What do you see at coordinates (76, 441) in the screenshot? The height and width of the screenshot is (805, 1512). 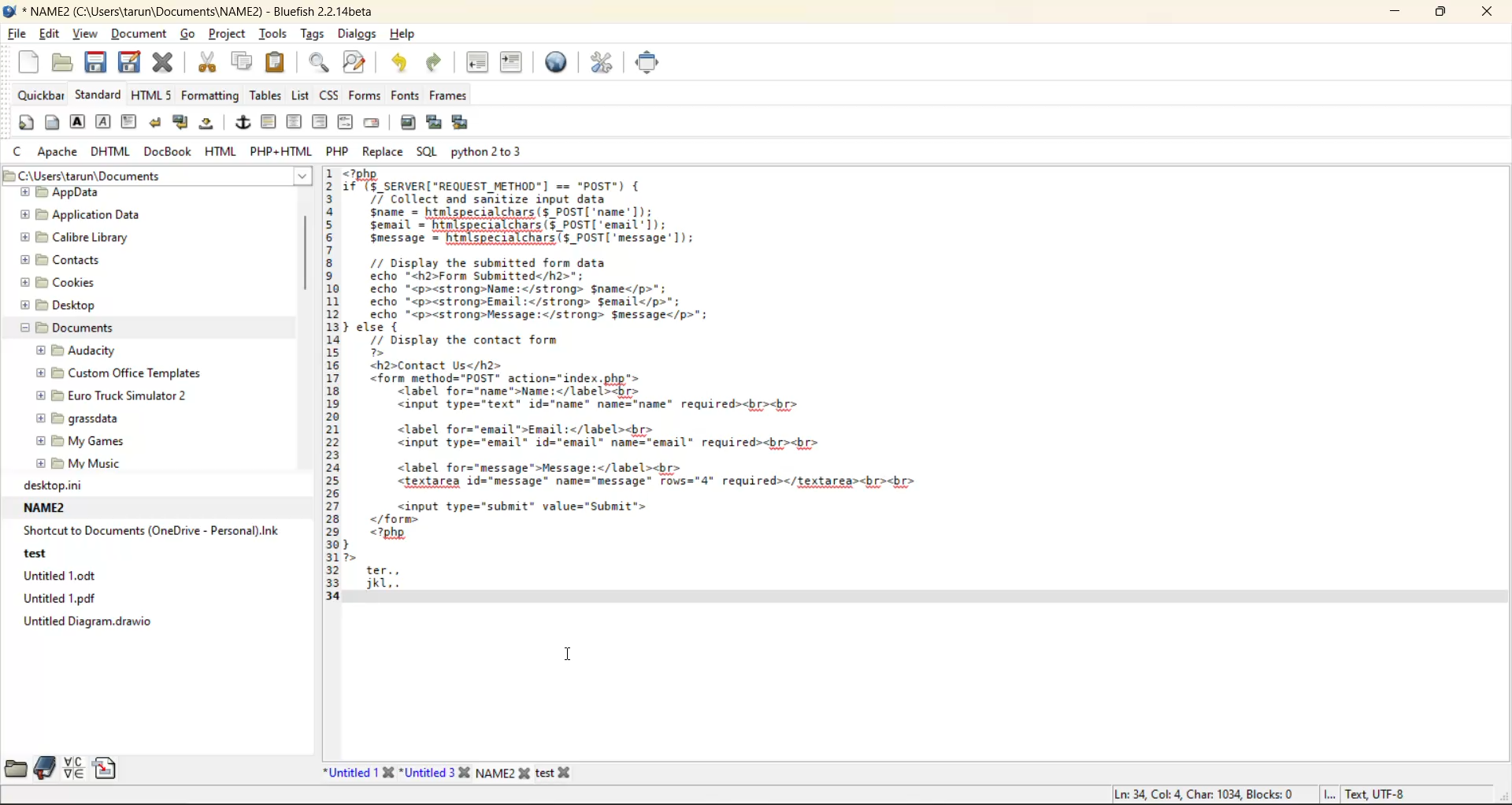 I see `My Games` at bounding box center [76, 441].